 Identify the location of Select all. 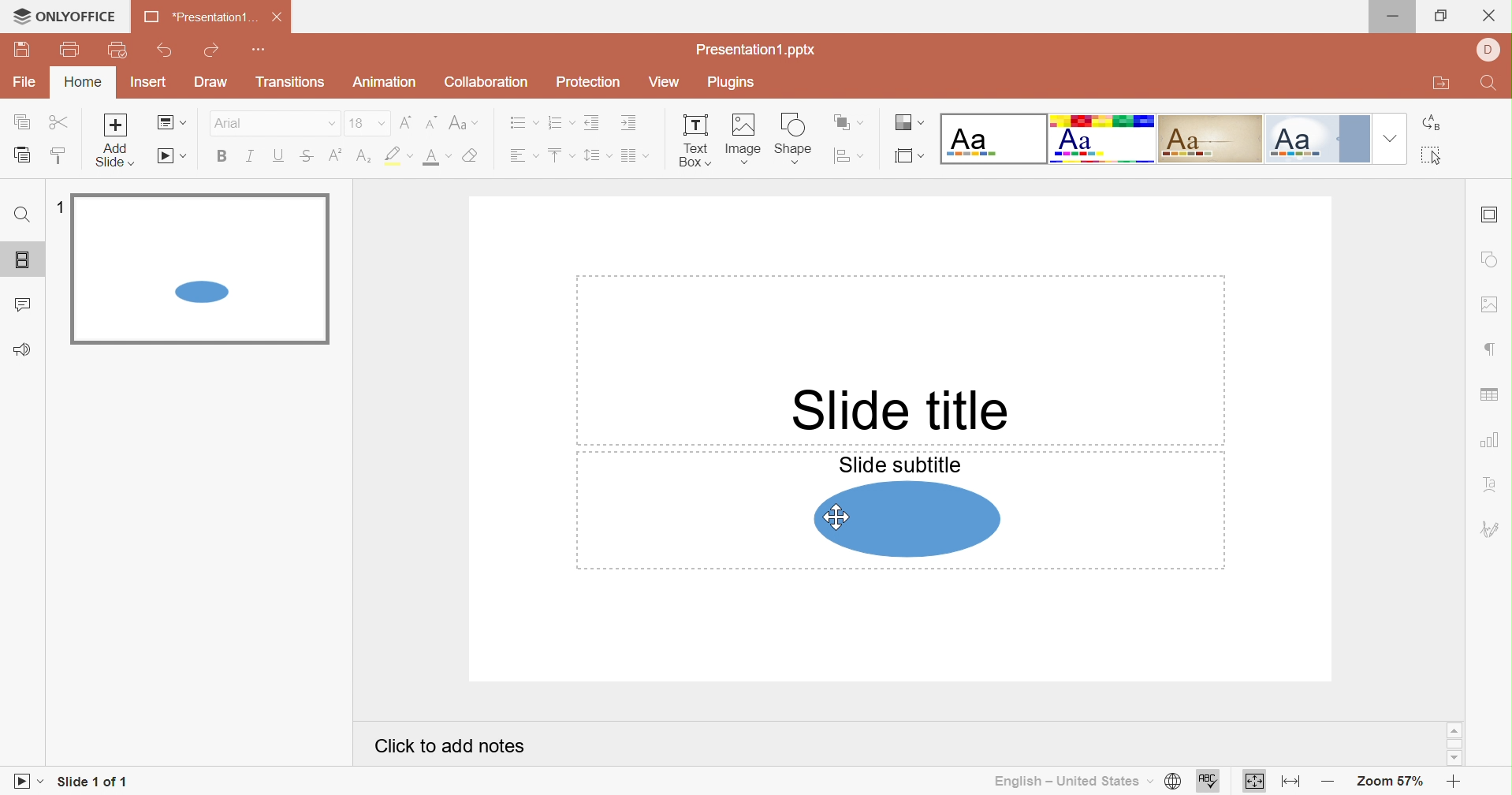
(1432, 155).